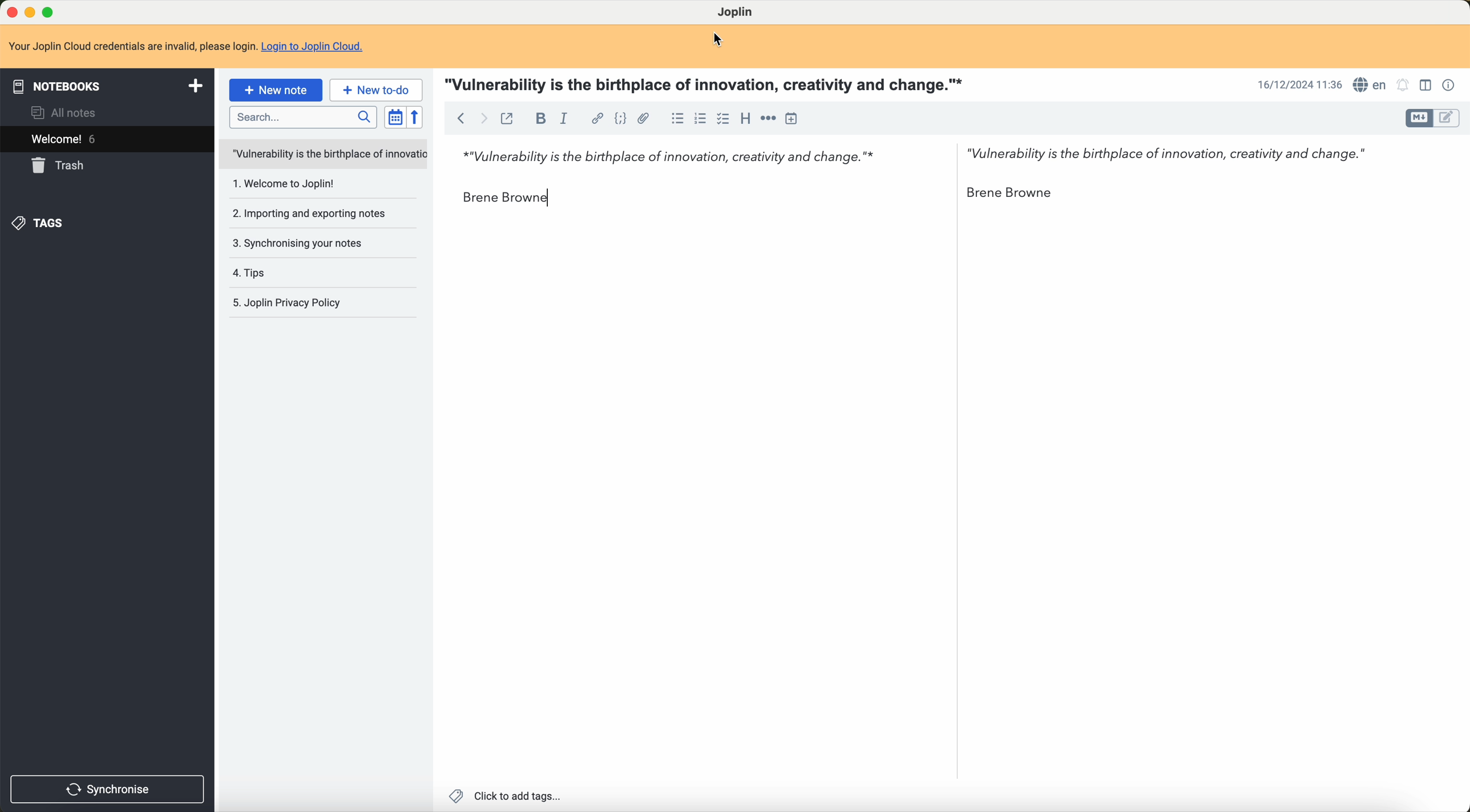 The height and width of the screenshot is (812, 1470). What do you see at coordinates (1012, 196) in the screenshot?
I see `Brene Browne` at bounding box center [1012, 196].